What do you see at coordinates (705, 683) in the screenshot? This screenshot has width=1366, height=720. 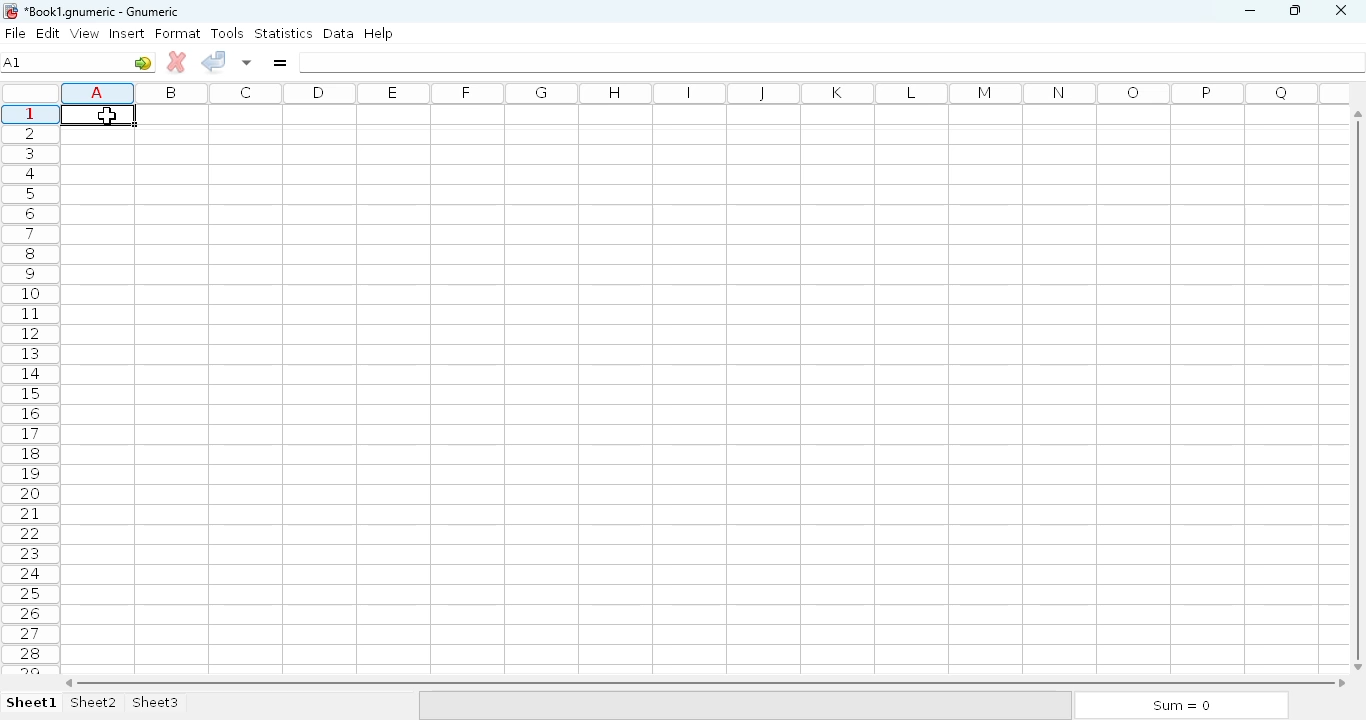 I see `horizontal scroll bar` at bounding box center [705, 683].